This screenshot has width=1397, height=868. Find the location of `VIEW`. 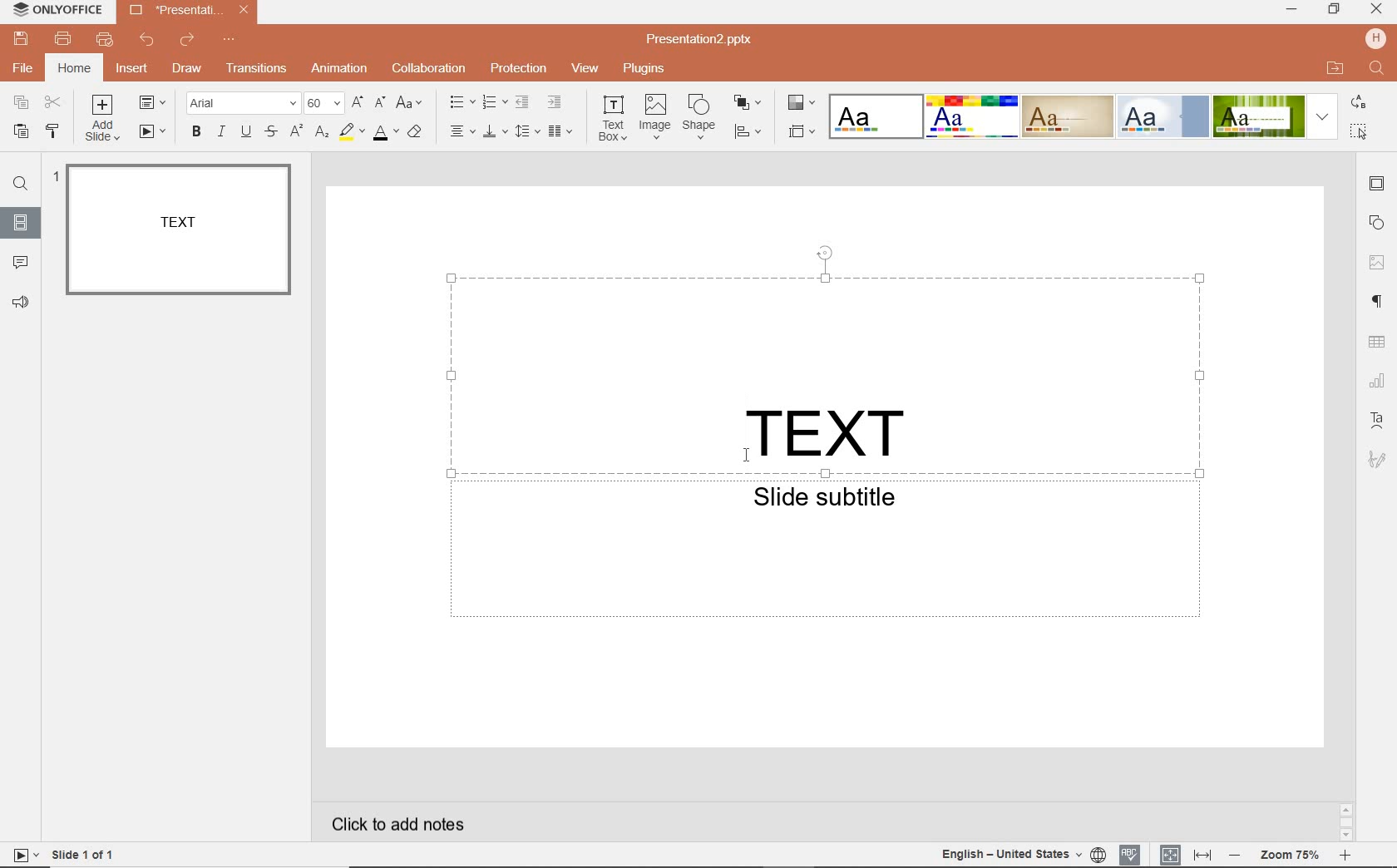

VIEW is located at coordinates (586, 70).